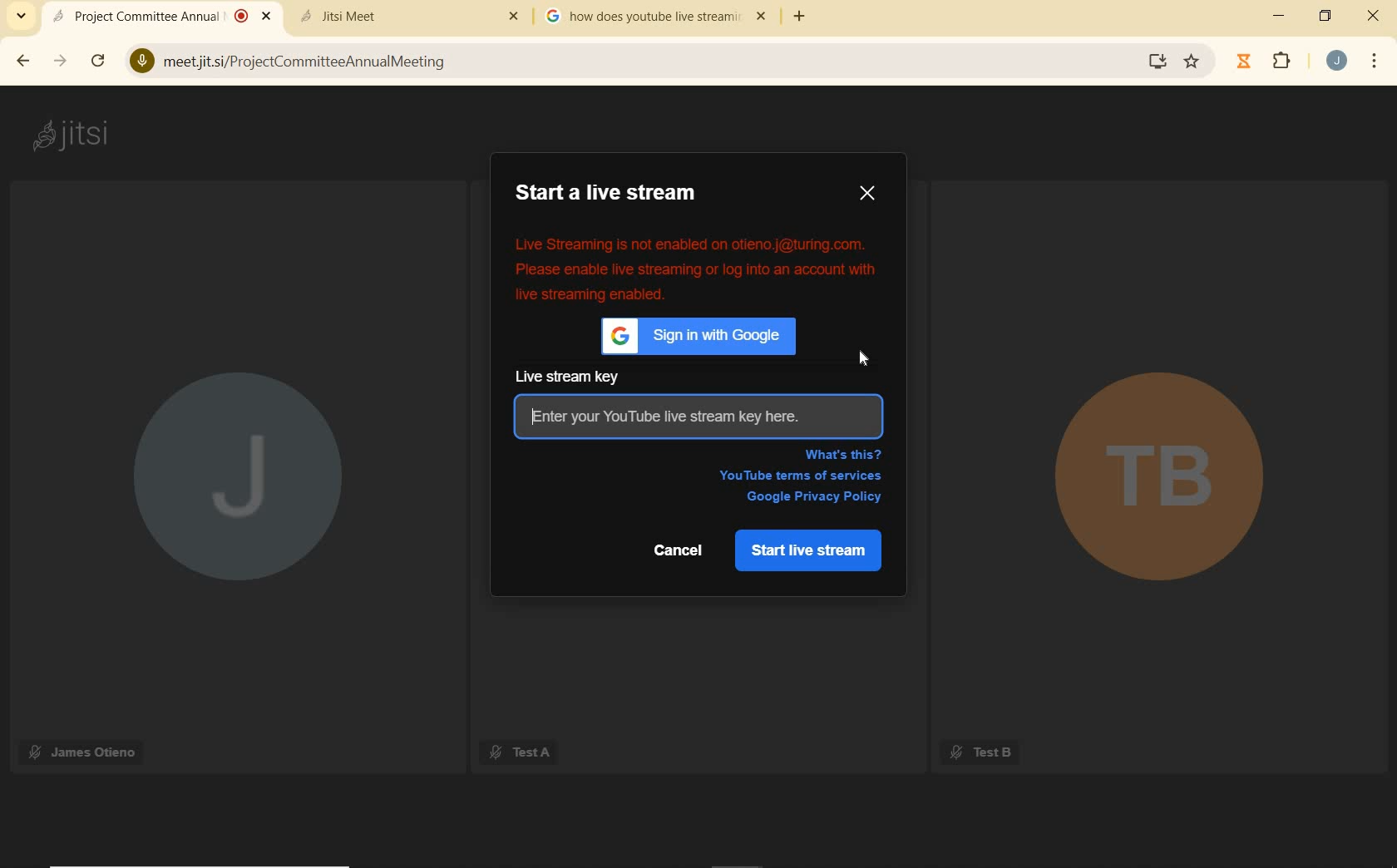 Image resolution: width=1397 pixels, height=868 pixels. What do you see at coordinates (610, 193) in the screenshot?
I see `START A LIVE STREAM` at bounding box center [610, 193].